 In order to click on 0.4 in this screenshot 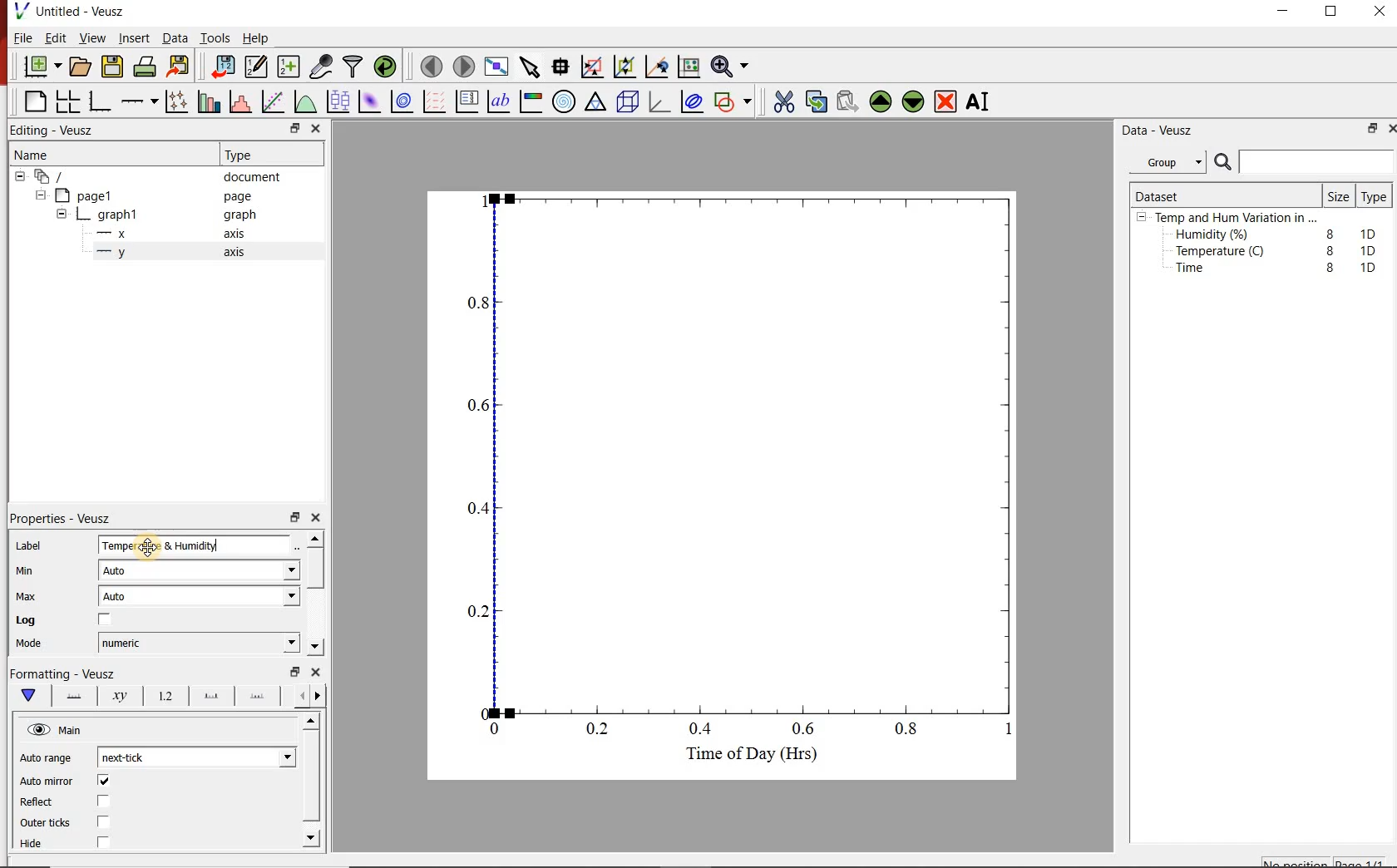, I will do `click(703, 730)`.